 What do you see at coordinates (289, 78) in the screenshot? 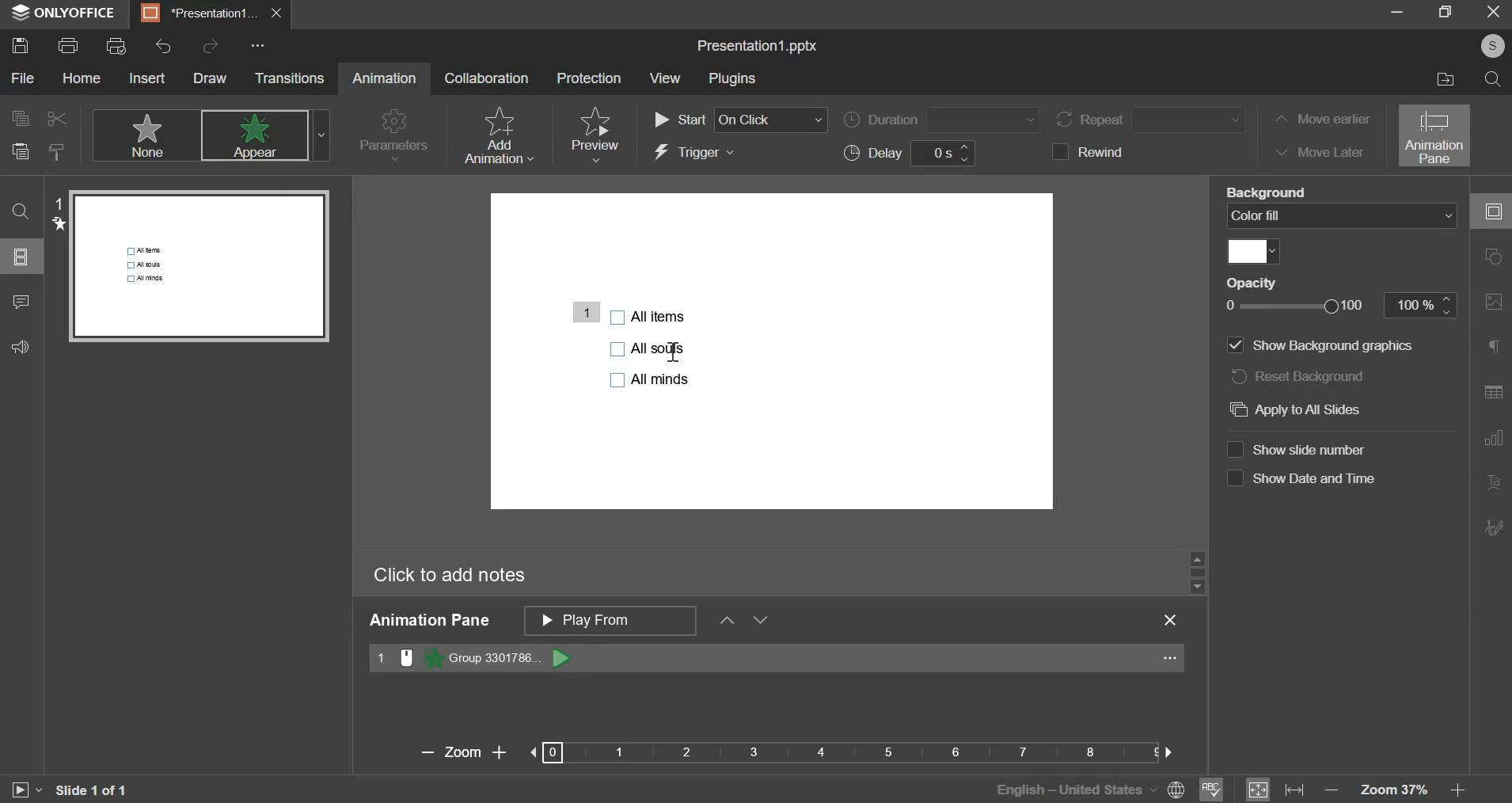
I see `transitions` at bounding box center [289, 78].